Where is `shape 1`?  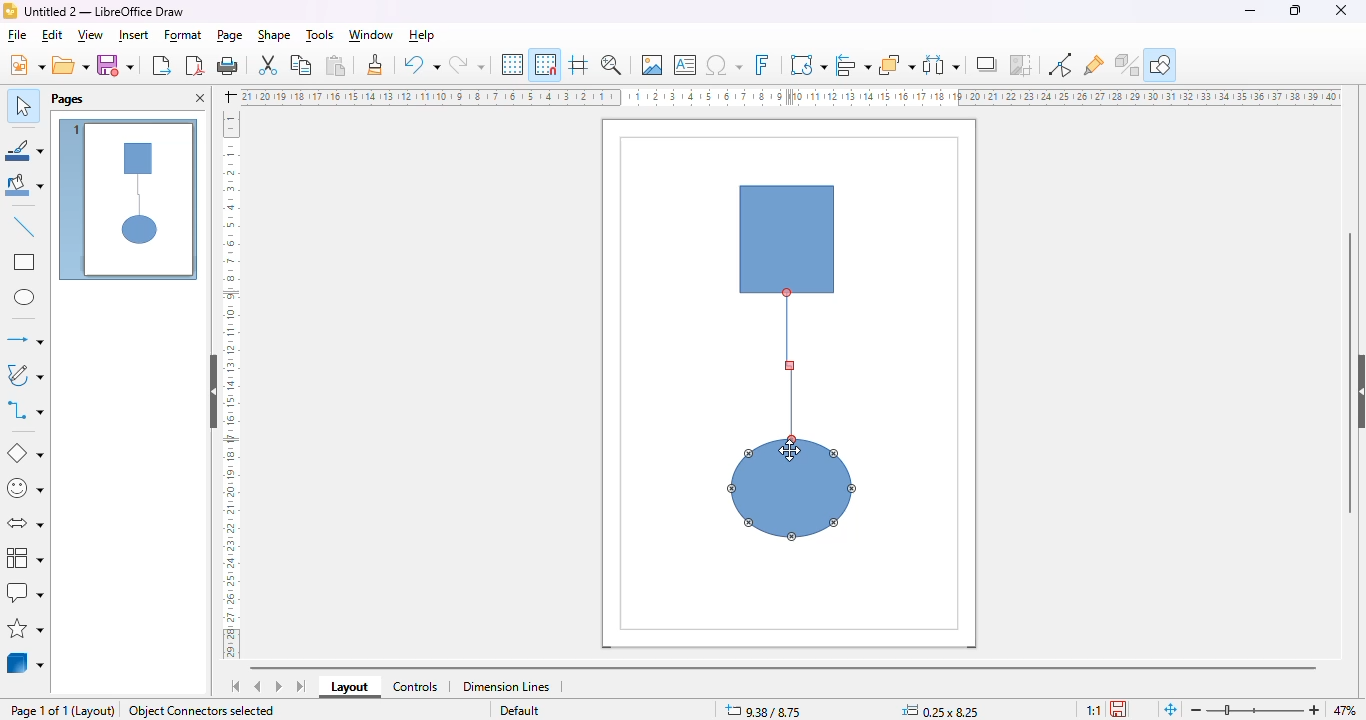
shape 1 is located at coordinates (789, 231).